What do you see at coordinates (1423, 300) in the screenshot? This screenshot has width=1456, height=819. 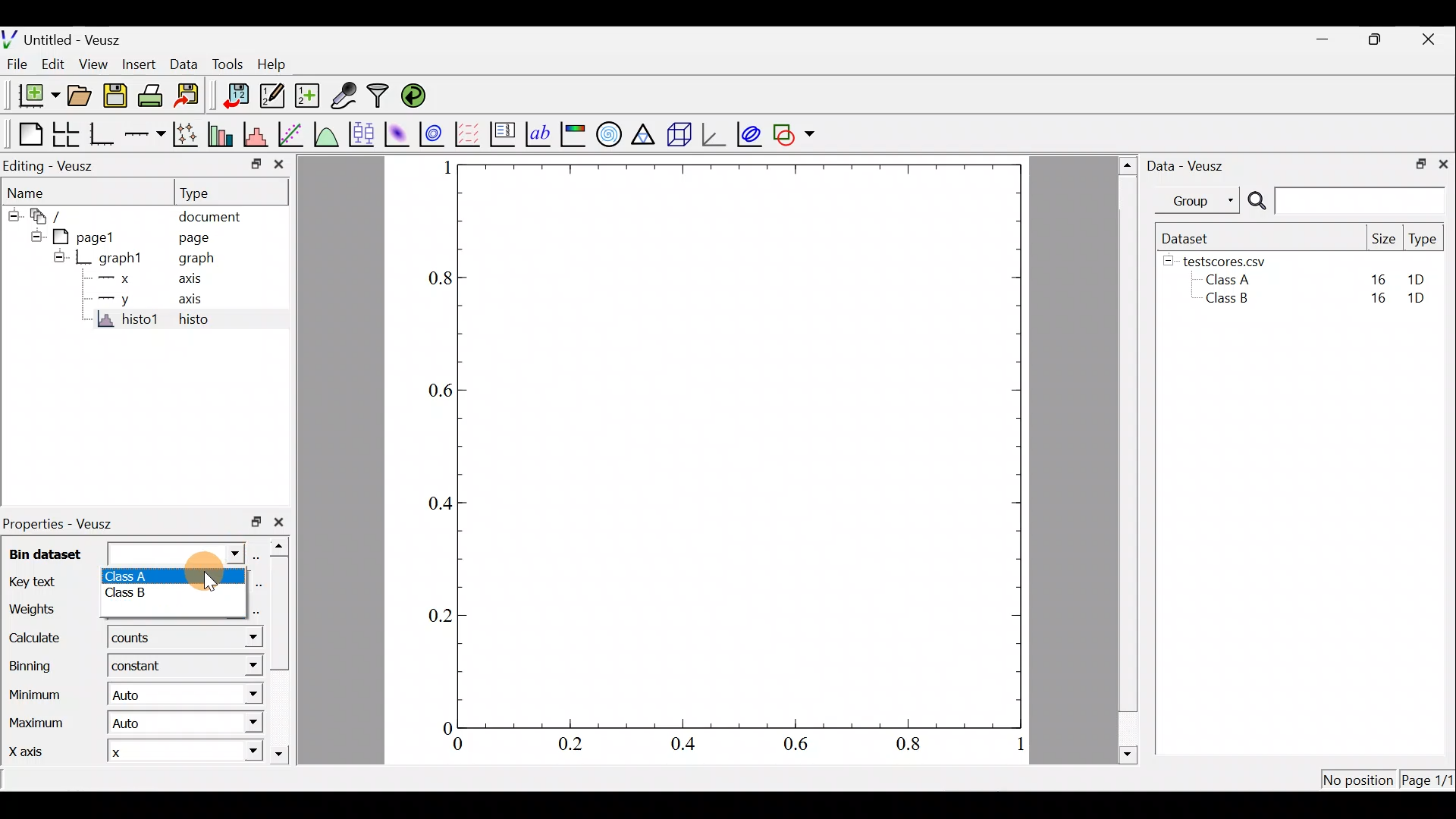 I see `1D` at bounding box center [1423, 300].